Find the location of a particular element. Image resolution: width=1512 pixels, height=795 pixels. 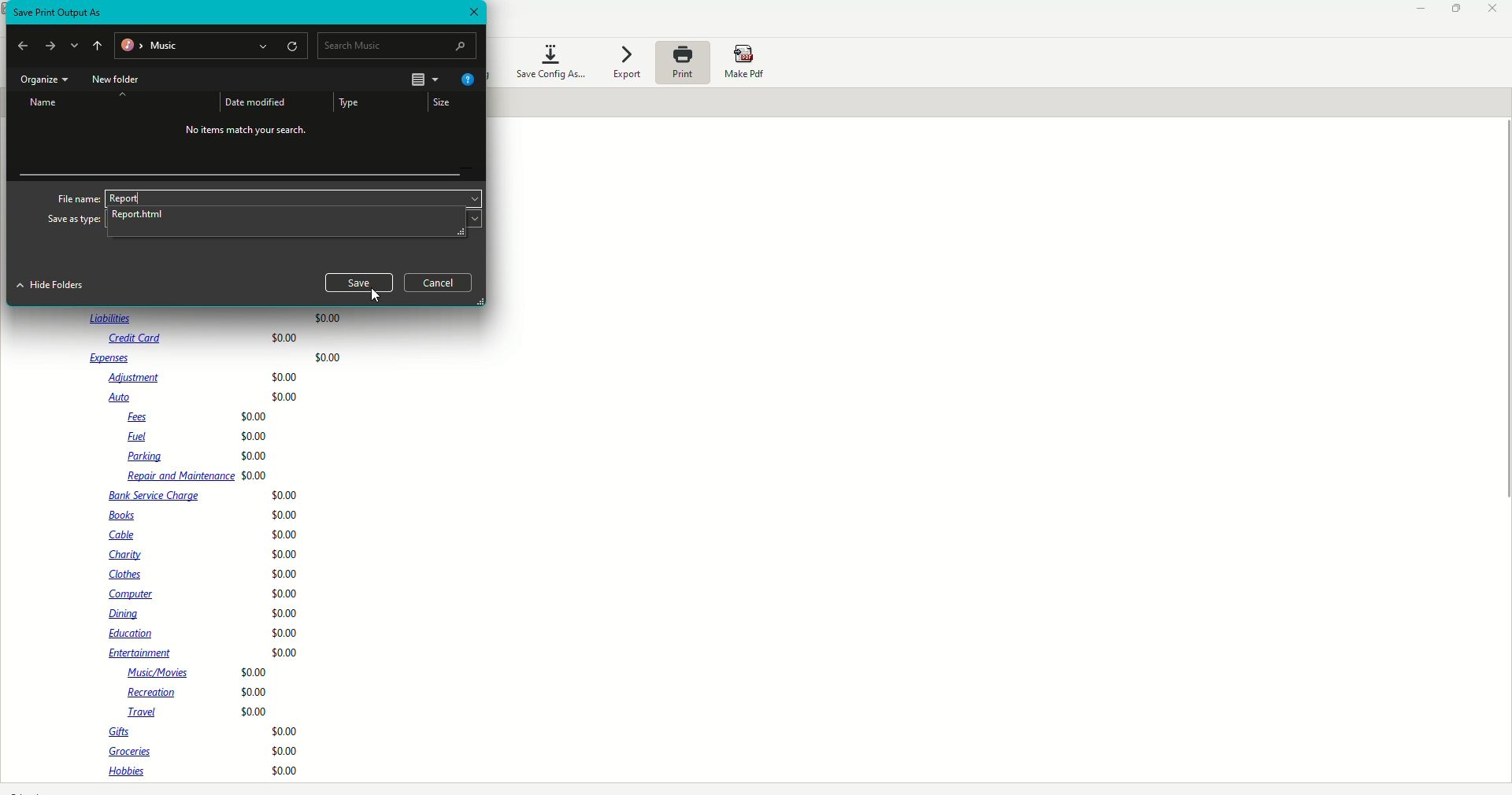

Cursor is located at coordinates (376, 295).